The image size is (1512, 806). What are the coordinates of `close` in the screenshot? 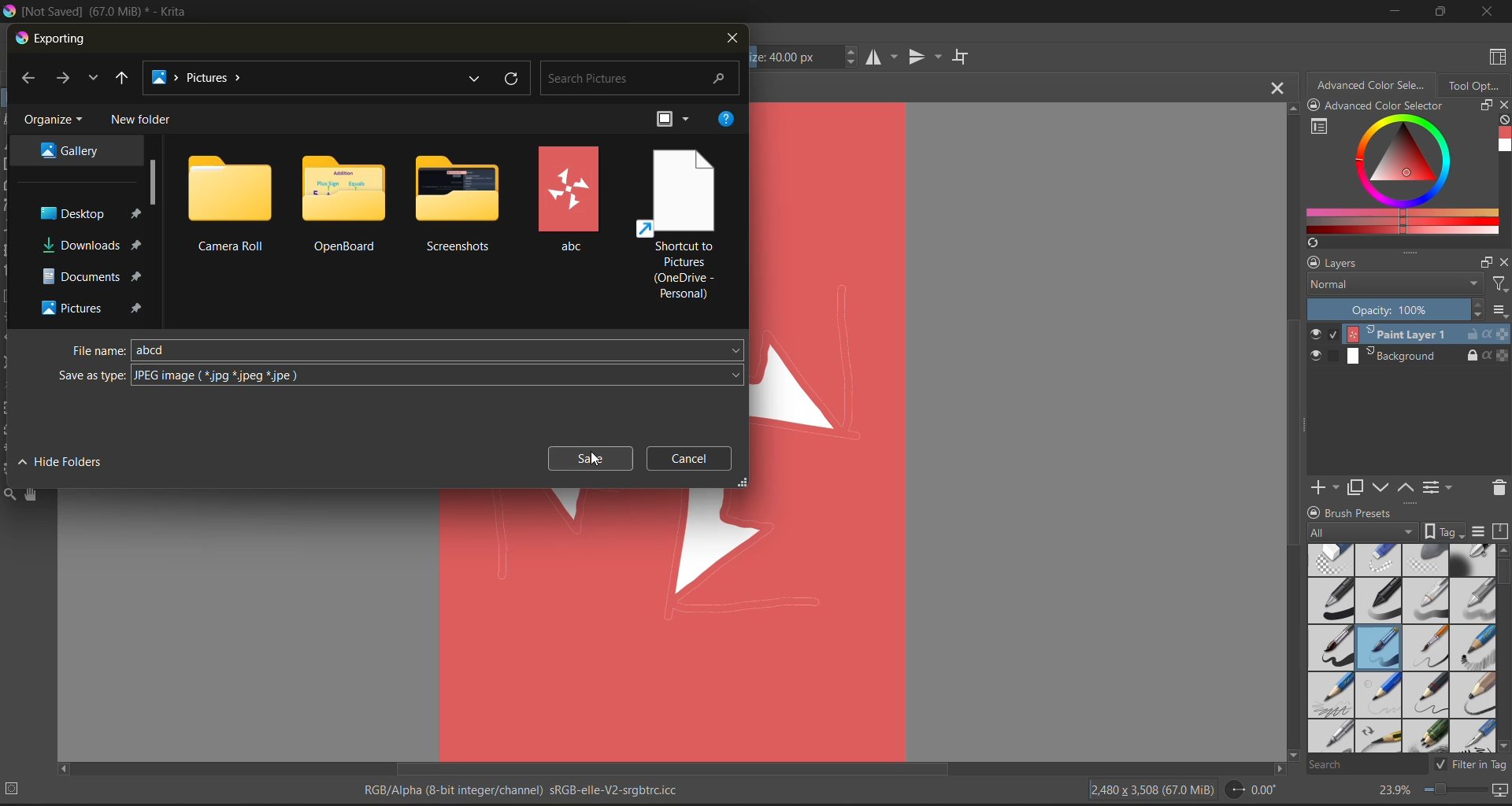 It's located at (1503, 105).